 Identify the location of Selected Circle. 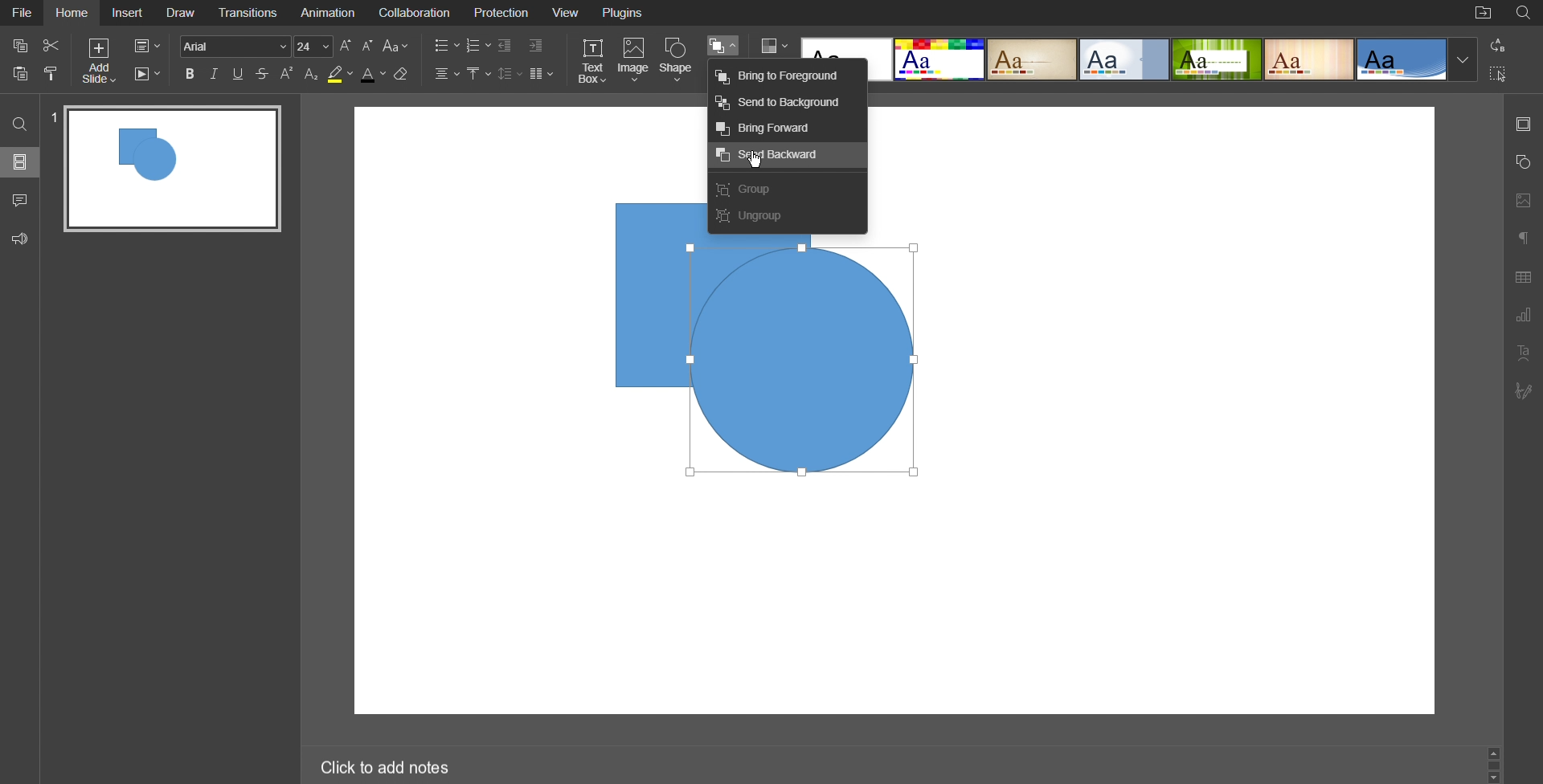
(804, 361).